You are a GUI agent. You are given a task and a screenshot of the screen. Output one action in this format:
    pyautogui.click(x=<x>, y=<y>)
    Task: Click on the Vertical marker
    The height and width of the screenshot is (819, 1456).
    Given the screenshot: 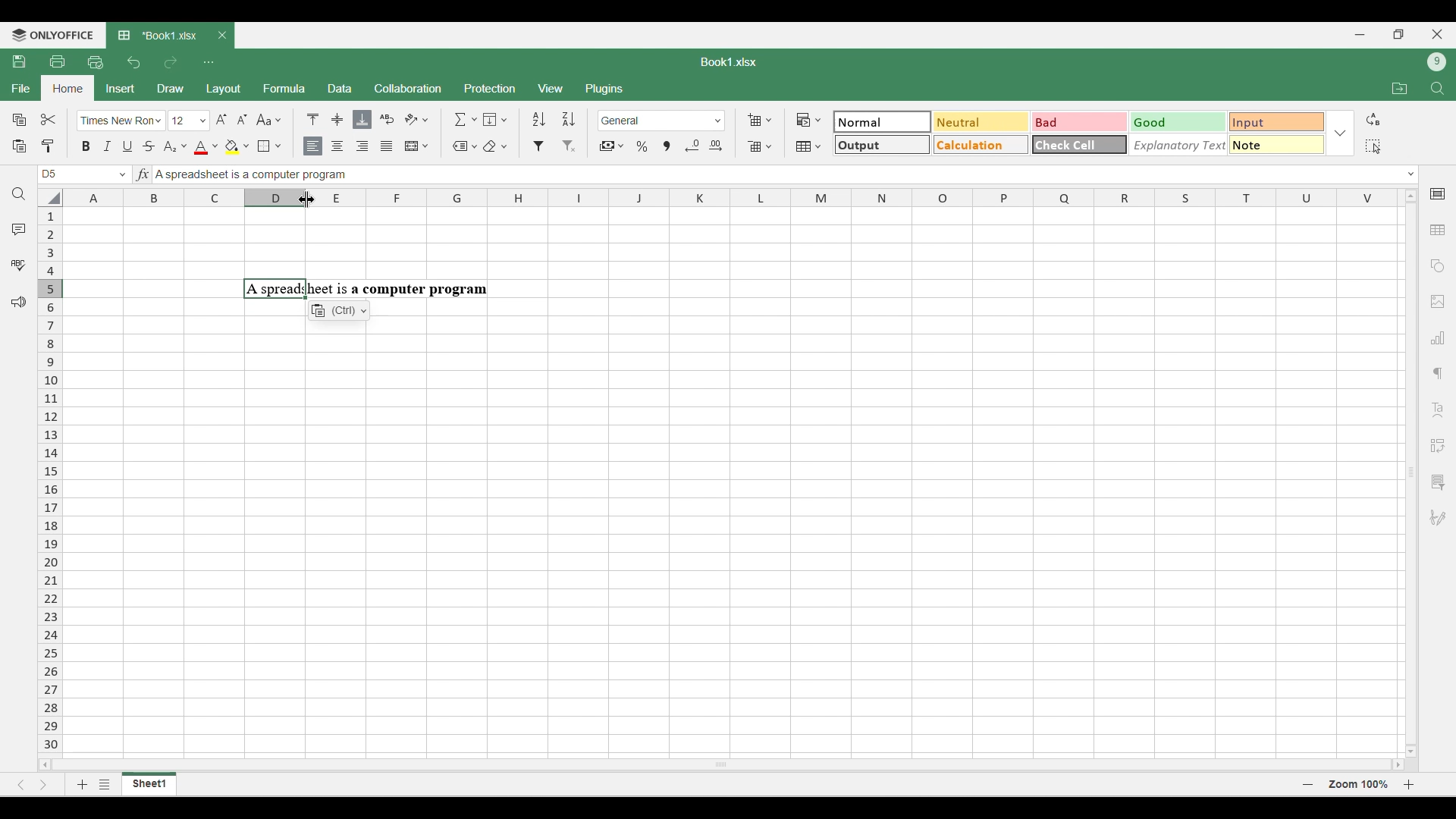 What is the action you would take?
    pyautogui.click(x=51, y=482)
    